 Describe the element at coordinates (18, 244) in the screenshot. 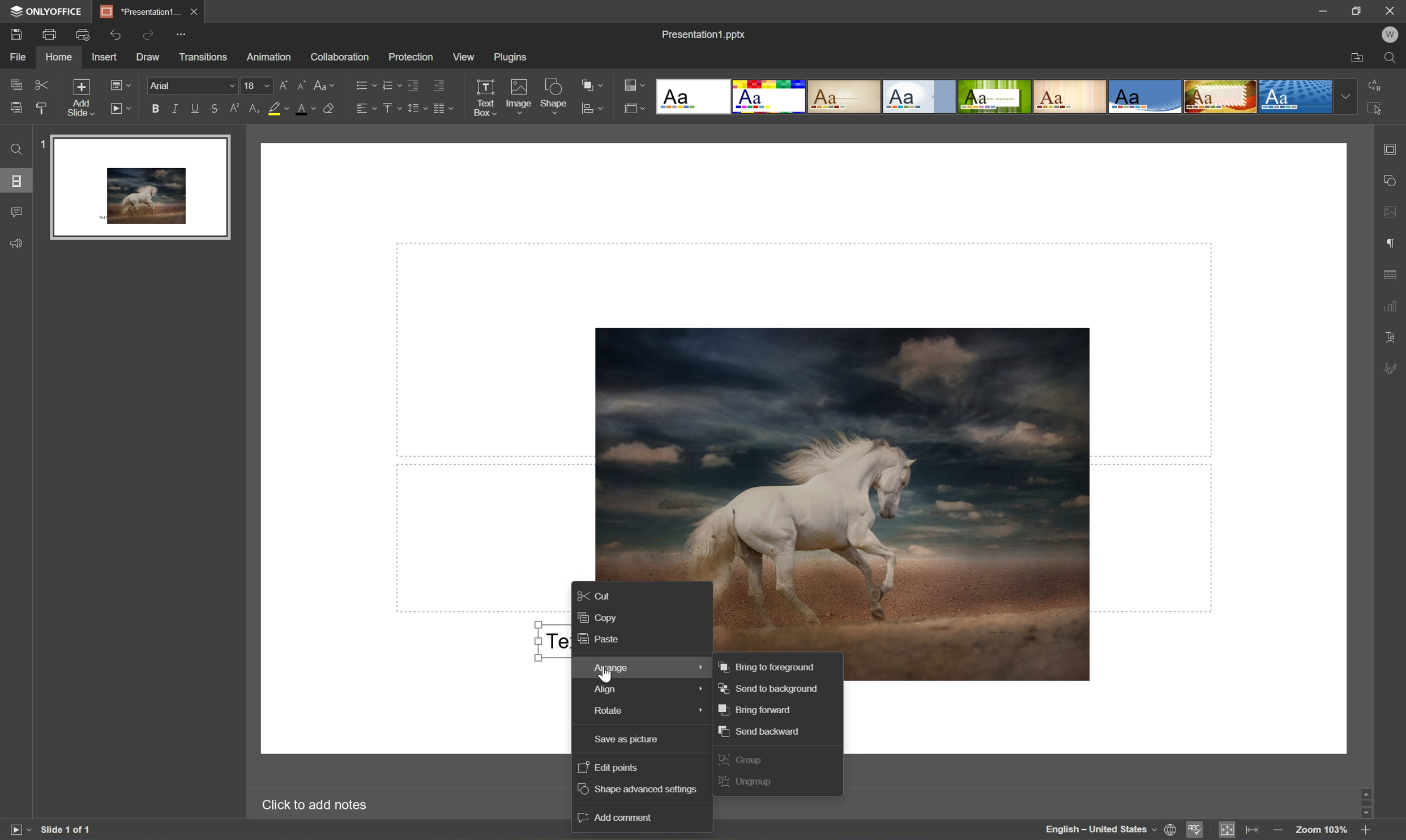

I see `Feedback & Support` at that location.